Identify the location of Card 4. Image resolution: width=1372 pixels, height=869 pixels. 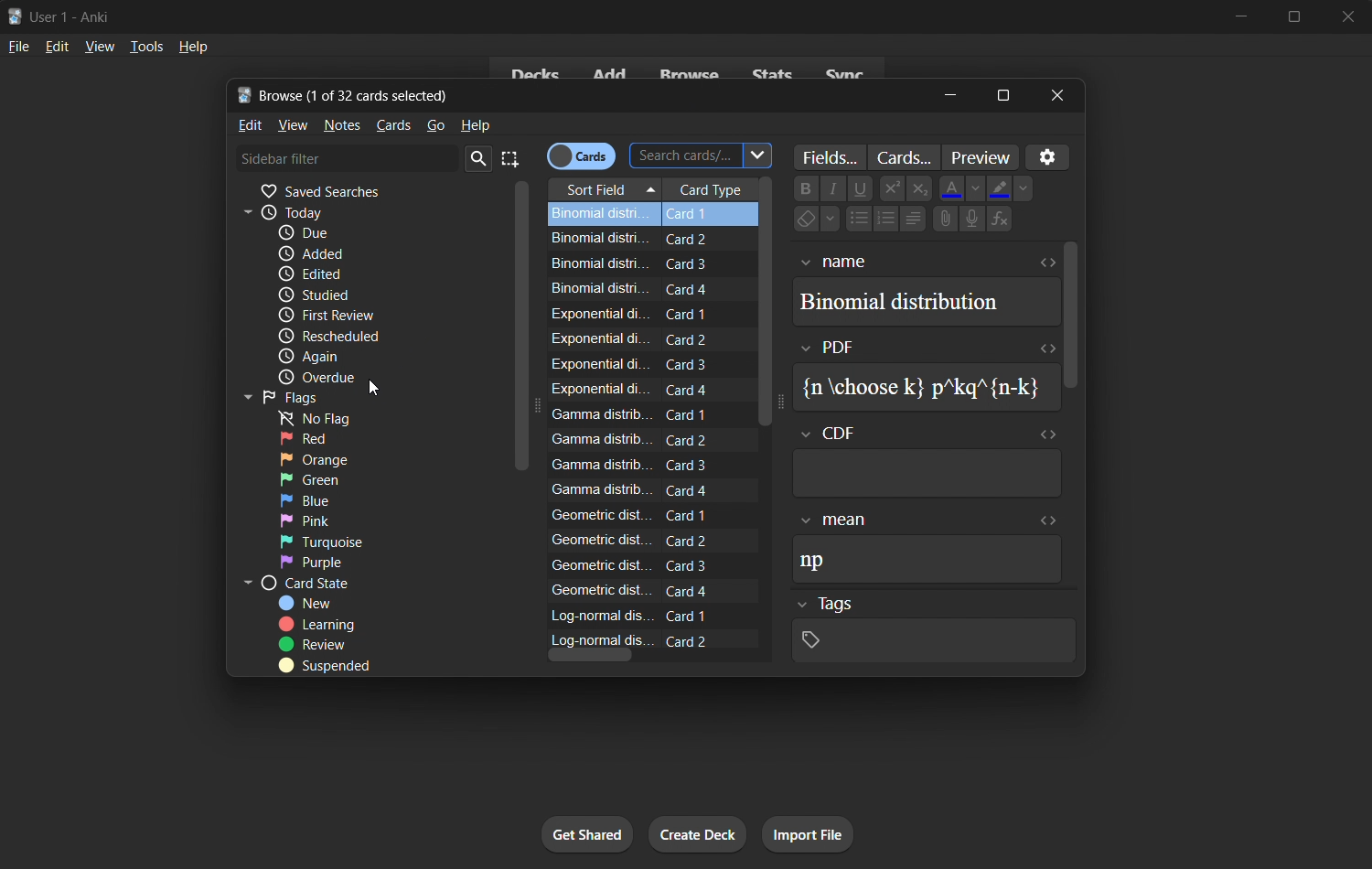
(703, 392).